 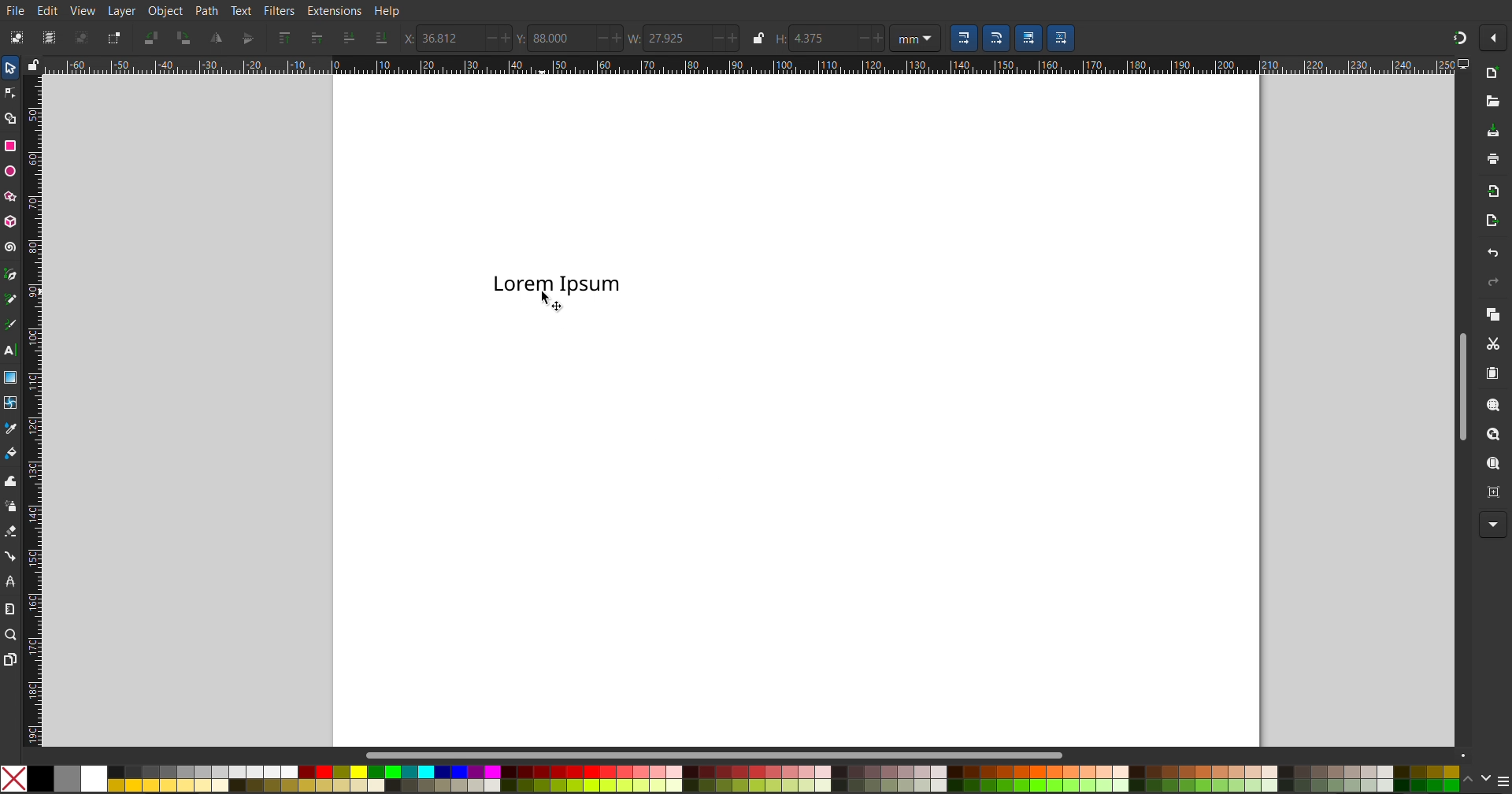 What do you see at coordinates (1492, 373) in the screenshot?
I see `Paste` at bounding box center [1492, 373].